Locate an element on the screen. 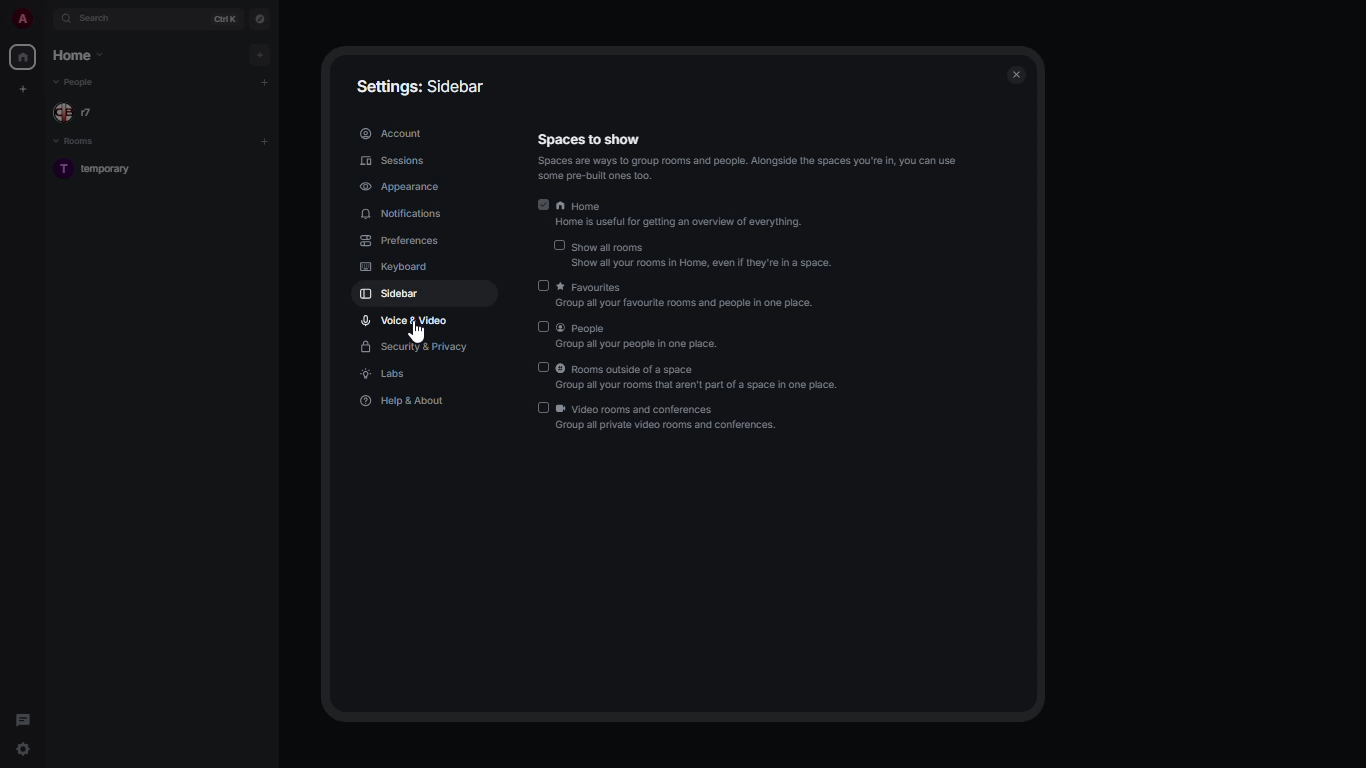 The height and width of the screenshot is (768, 1366). favorites is located at coordinates (689, 296).